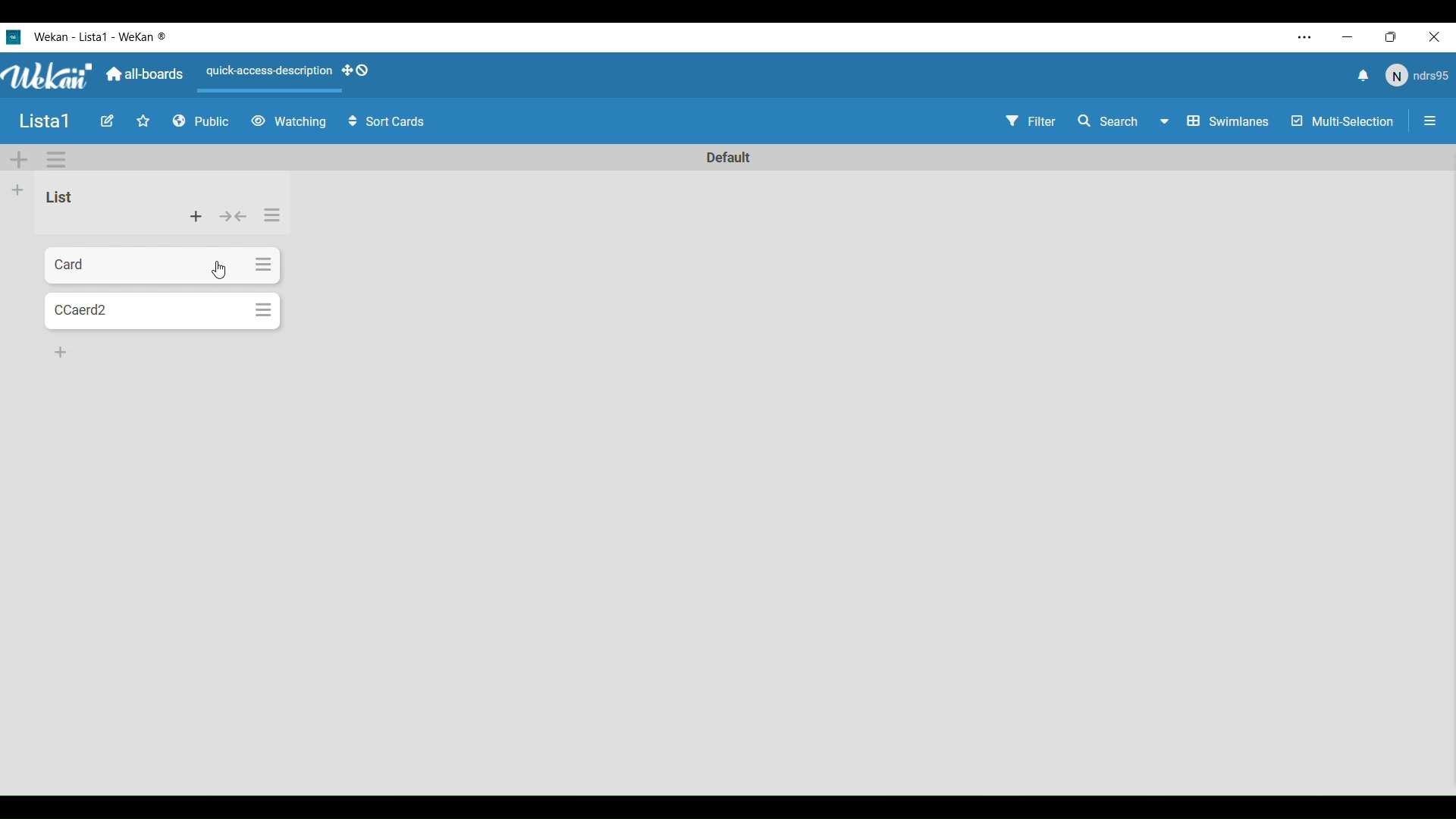 Image resolution: width=1456 pixels, height=819 pixels. Describe the element at coordinates (18, 190) in the screenshot. I see `Add` at that location.